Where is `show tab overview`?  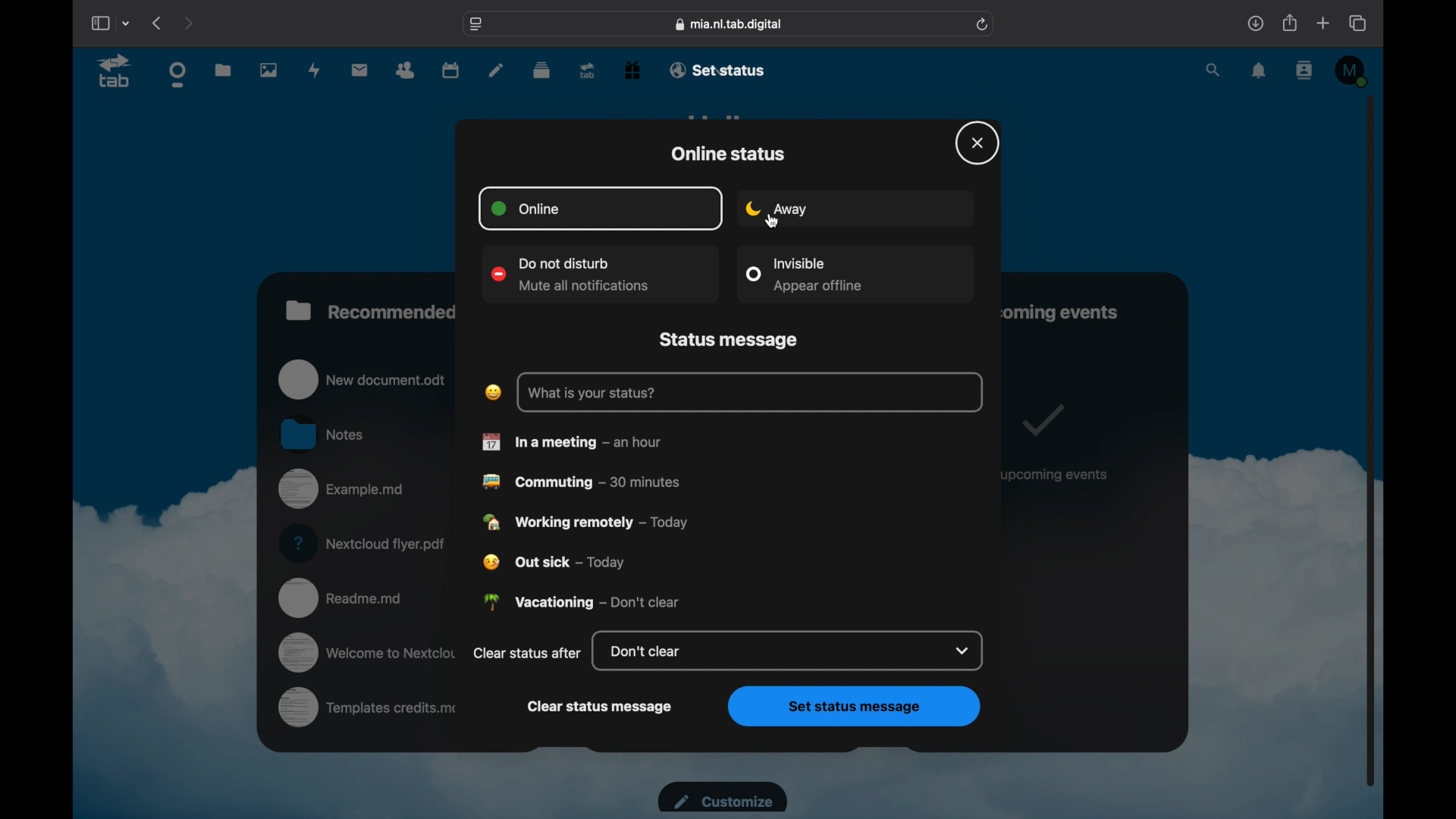
show tab overview is located at coordinates (1357, 23).